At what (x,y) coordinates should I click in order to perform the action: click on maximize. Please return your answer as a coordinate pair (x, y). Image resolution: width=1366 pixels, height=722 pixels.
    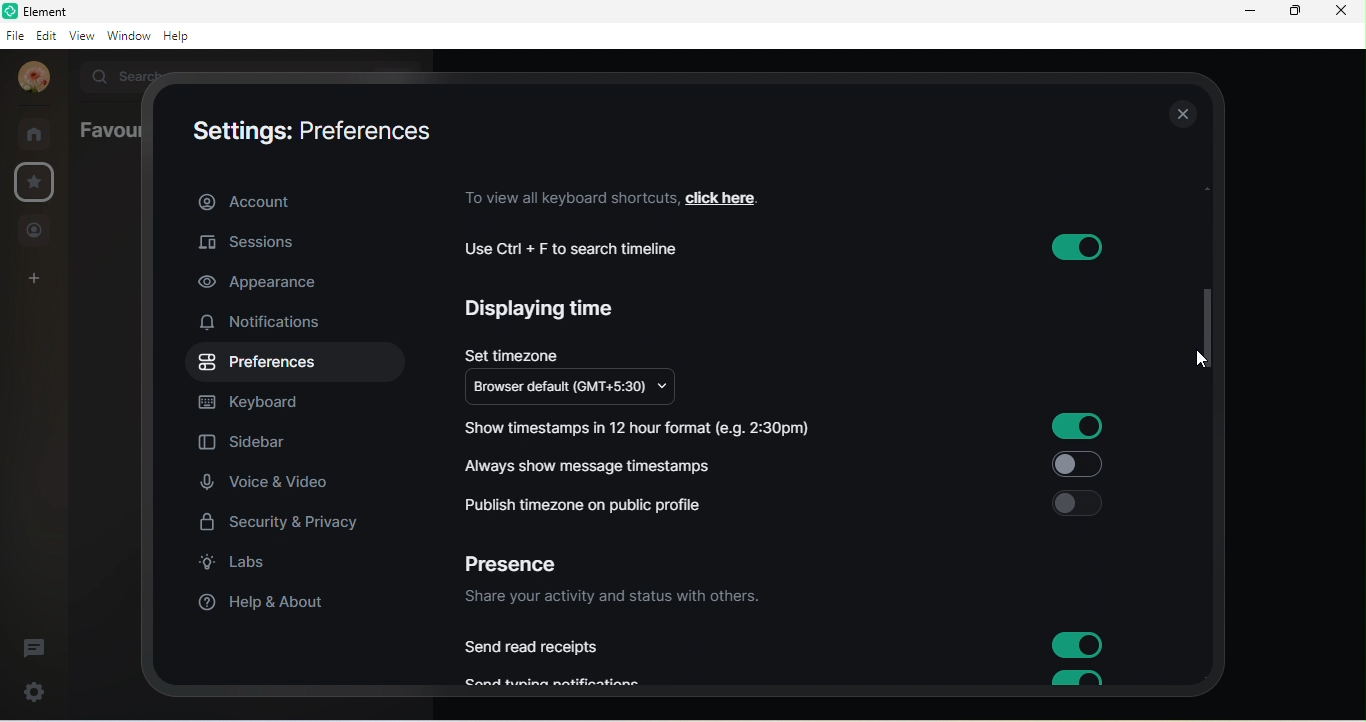
    Looking at the image, I should click on (1293, 13).